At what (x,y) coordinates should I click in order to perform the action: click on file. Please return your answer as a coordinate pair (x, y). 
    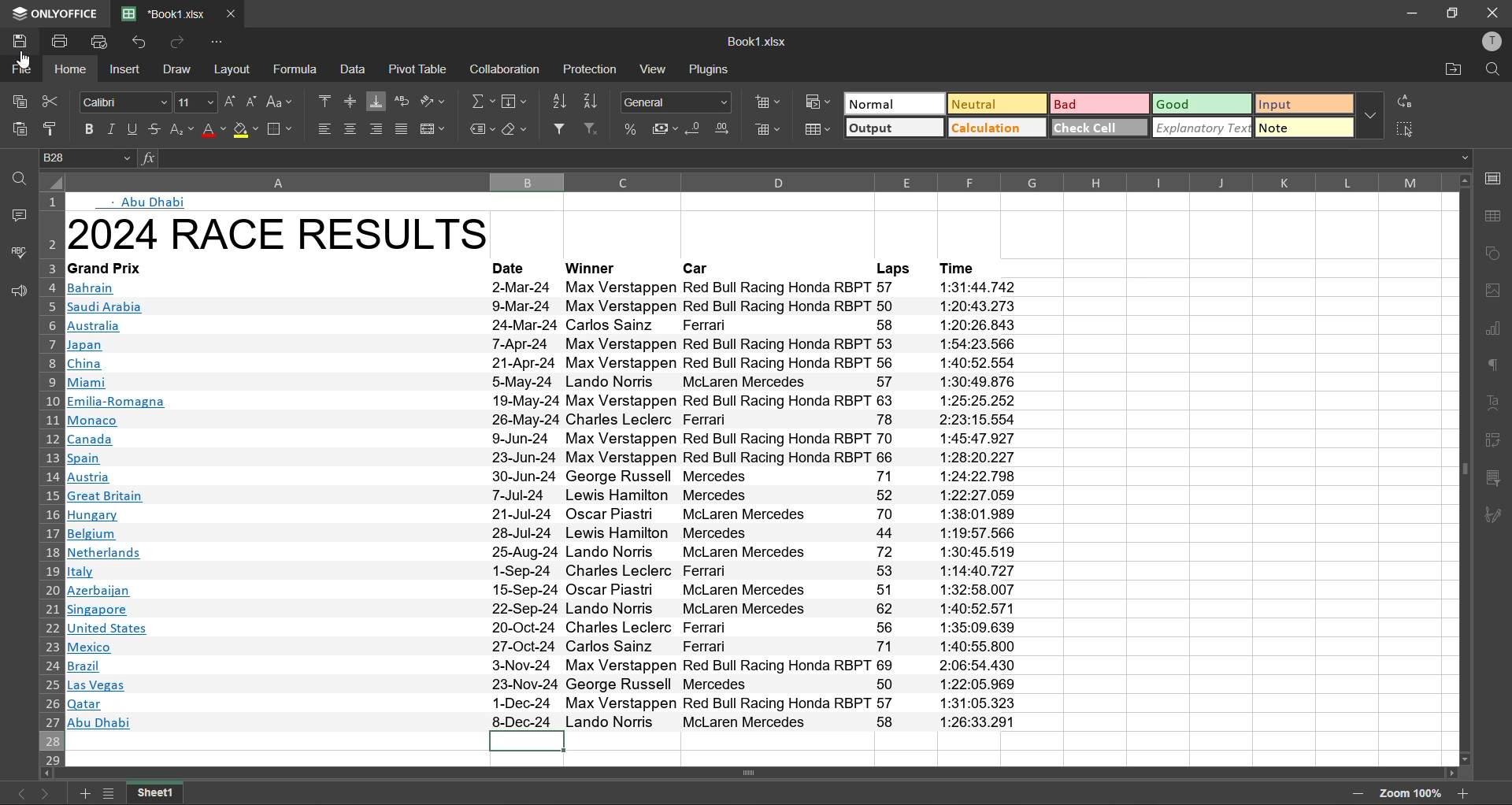
    Looking at the image, I should click on (17, 72).